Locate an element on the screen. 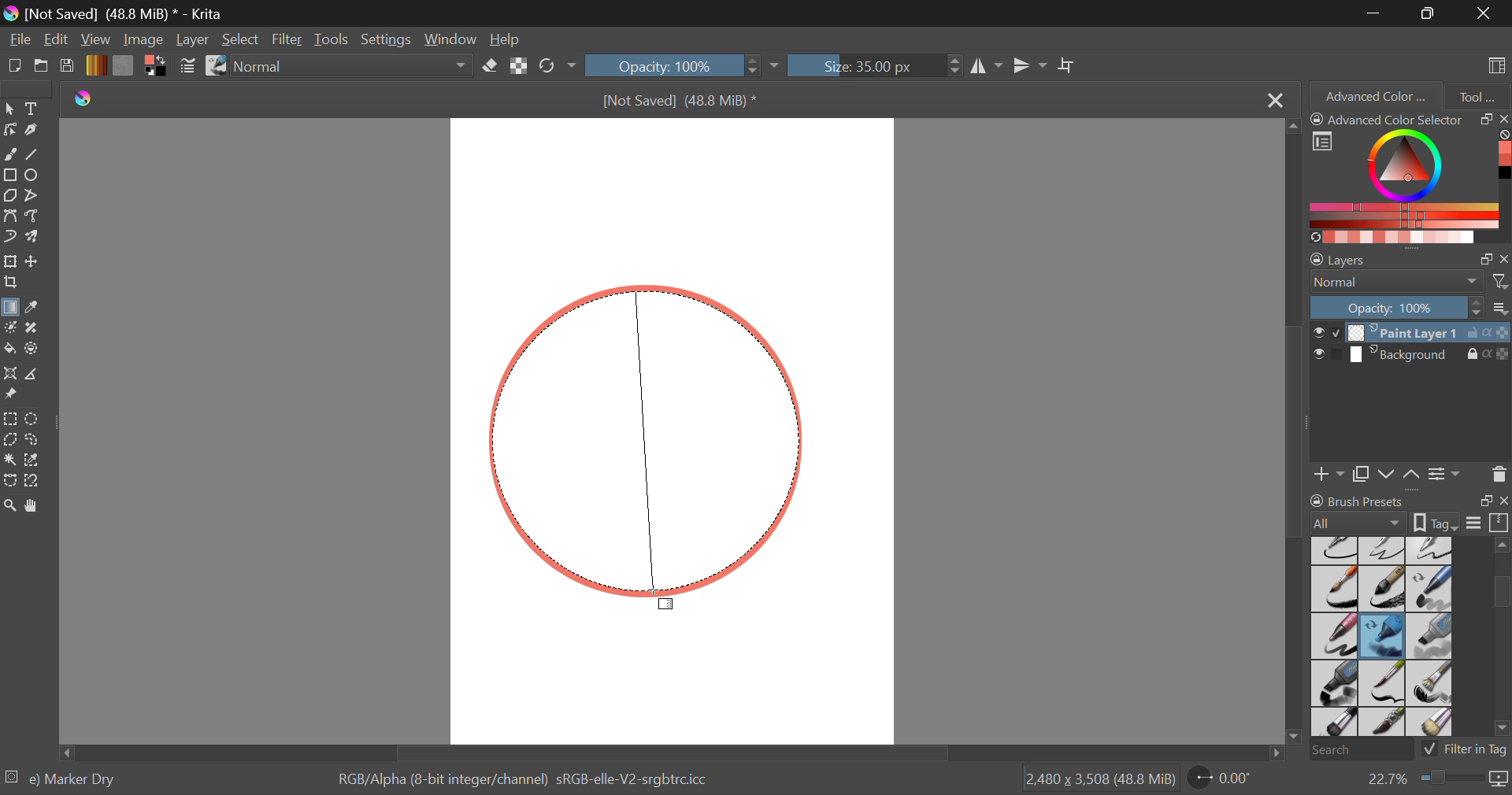 The height and width of the screenshot is (795, 1512). Settings is located at coordinates (390, 39).